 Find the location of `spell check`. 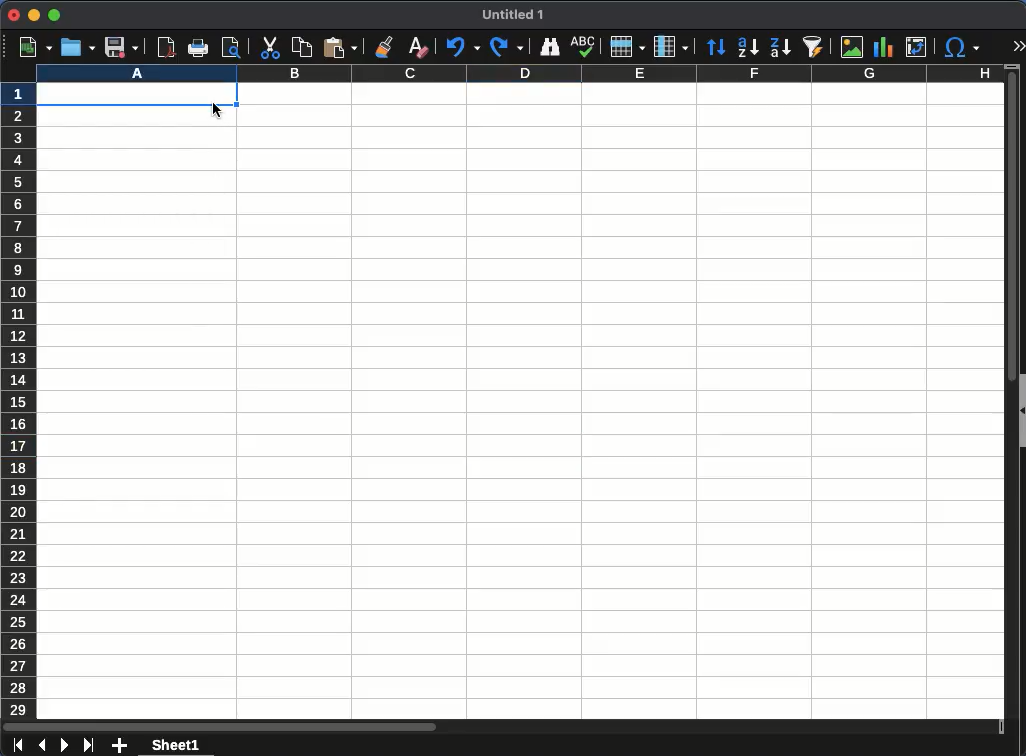

spell check is located at coordinates (584, 47).